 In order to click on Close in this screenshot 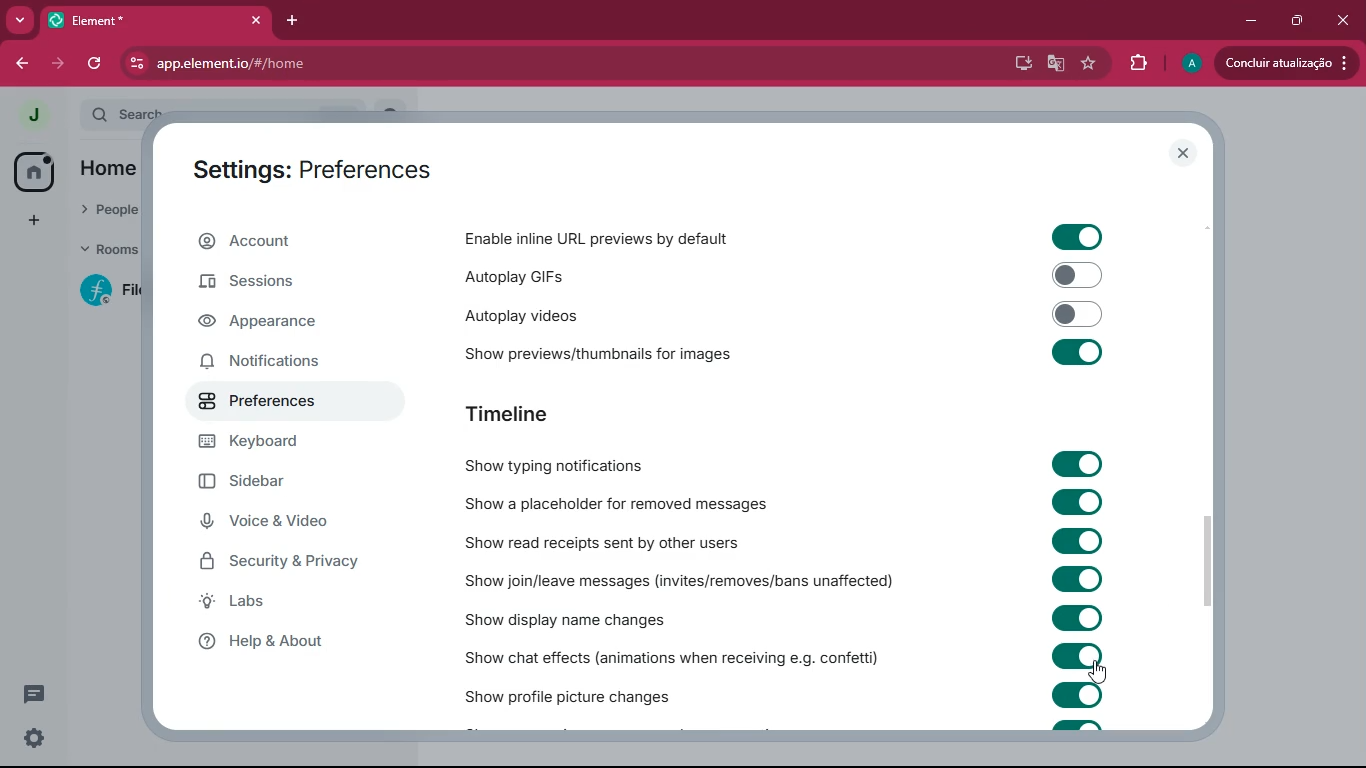, I will do `click(1342, 18)`.